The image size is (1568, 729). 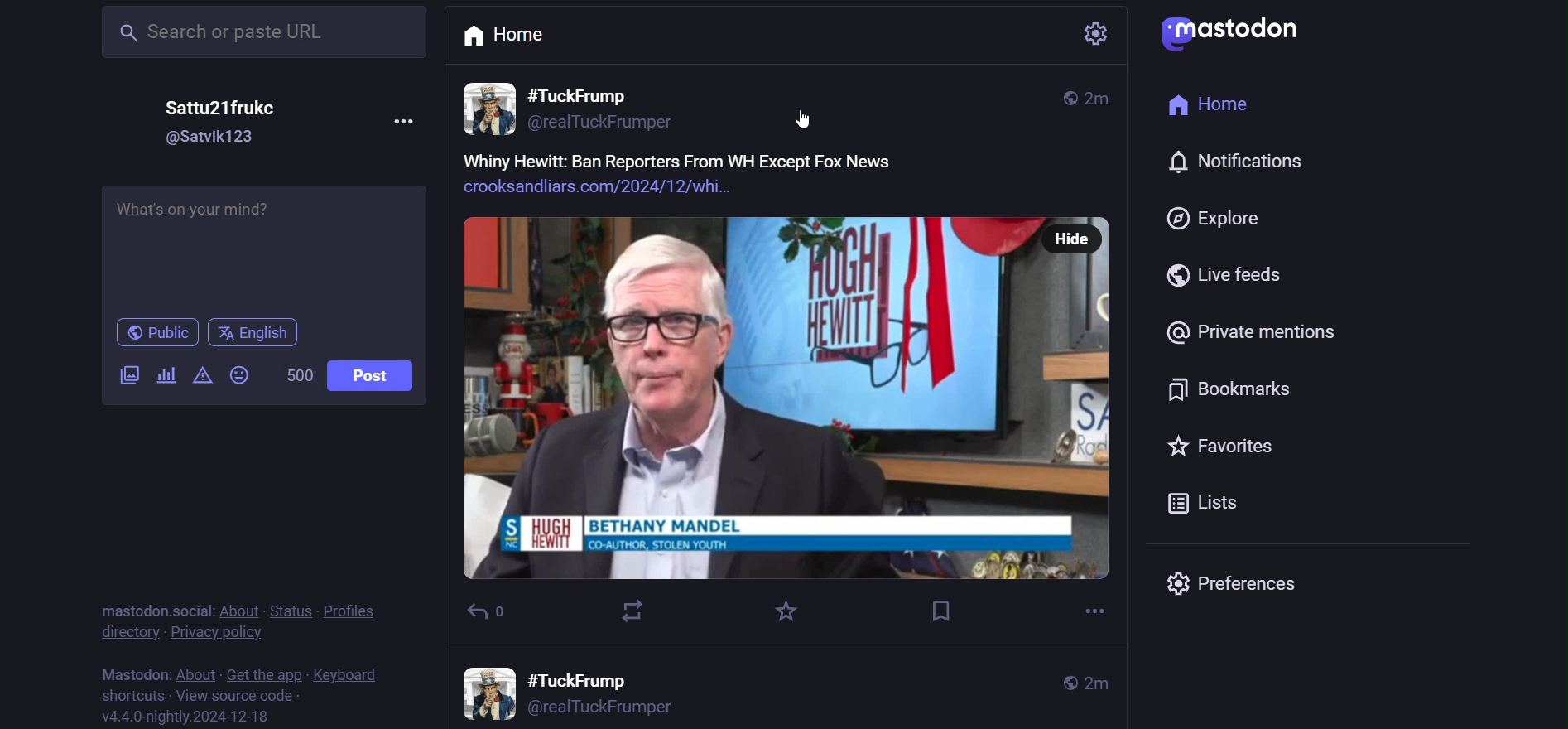 I want to click on live feed, so click(x=1227, y=278).